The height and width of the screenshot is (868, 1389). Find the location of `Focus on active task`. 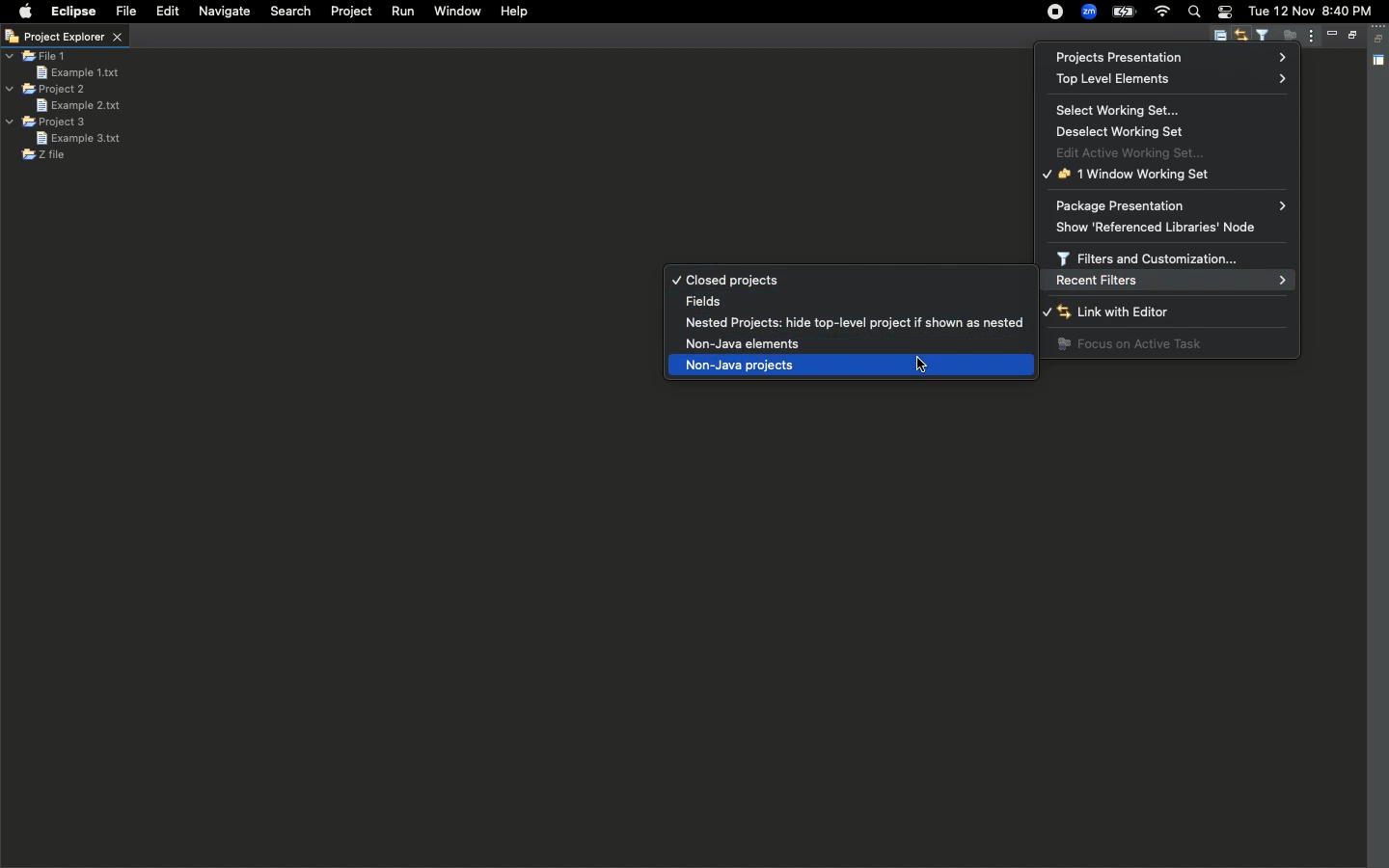

Focus on active task is located at coordinates (1287, 37).